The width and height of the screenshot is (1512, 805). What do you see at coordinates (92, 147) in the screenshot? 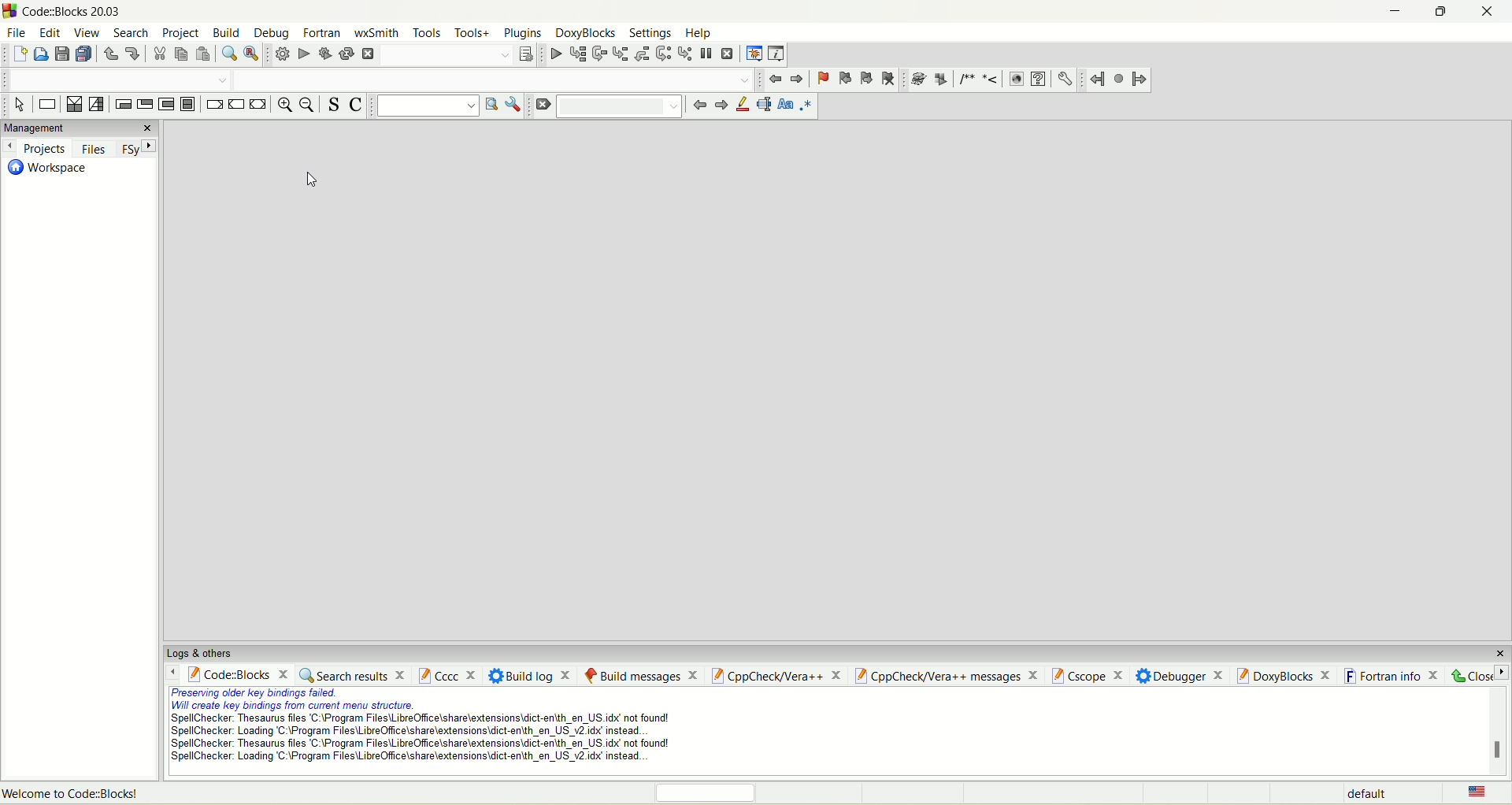
I see `files` at bounding box center [92, 147].